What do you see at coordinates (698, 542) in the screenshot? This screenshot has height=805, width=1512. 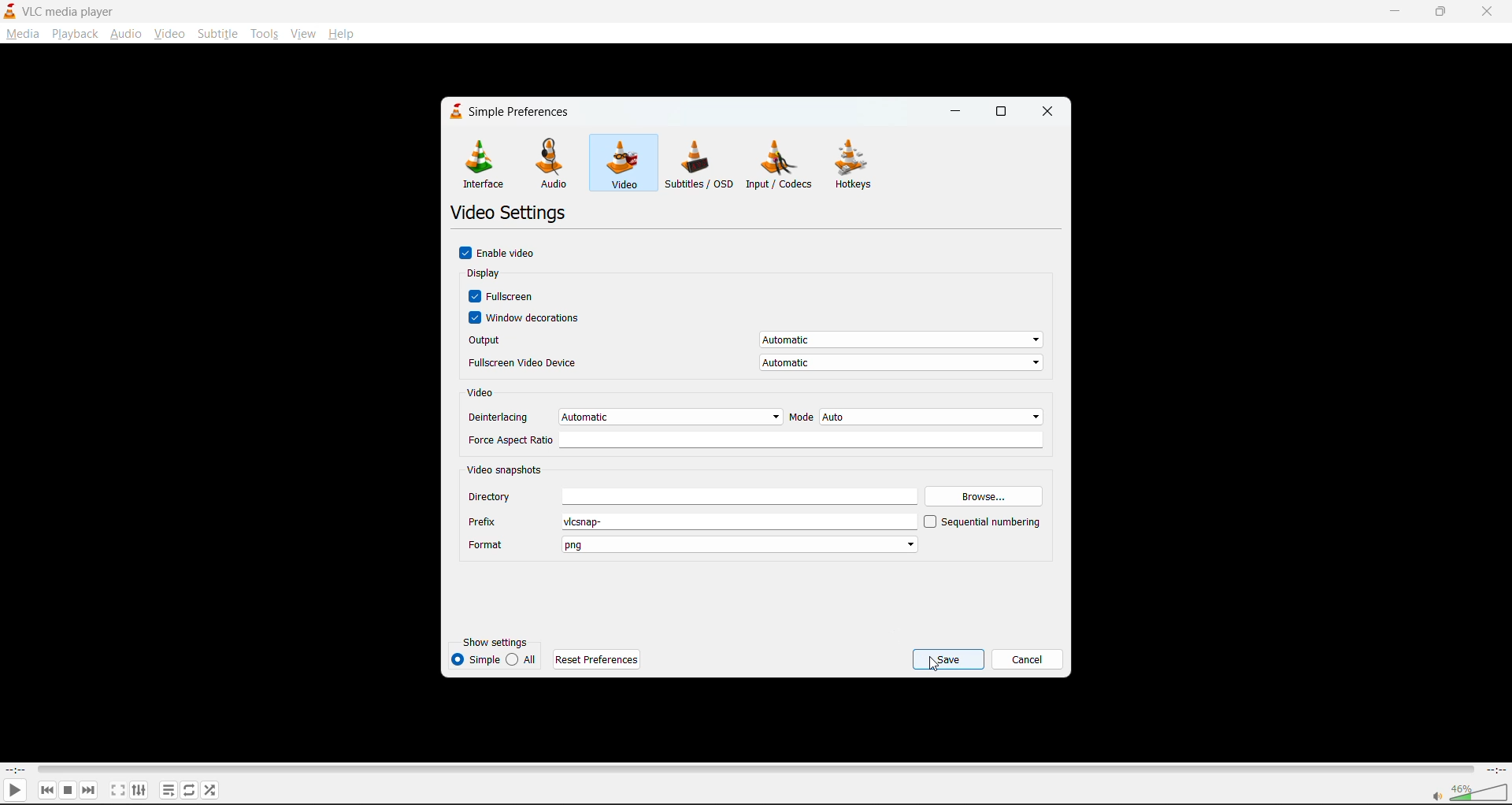 I see `fromat` at bounding box center [698, 542].